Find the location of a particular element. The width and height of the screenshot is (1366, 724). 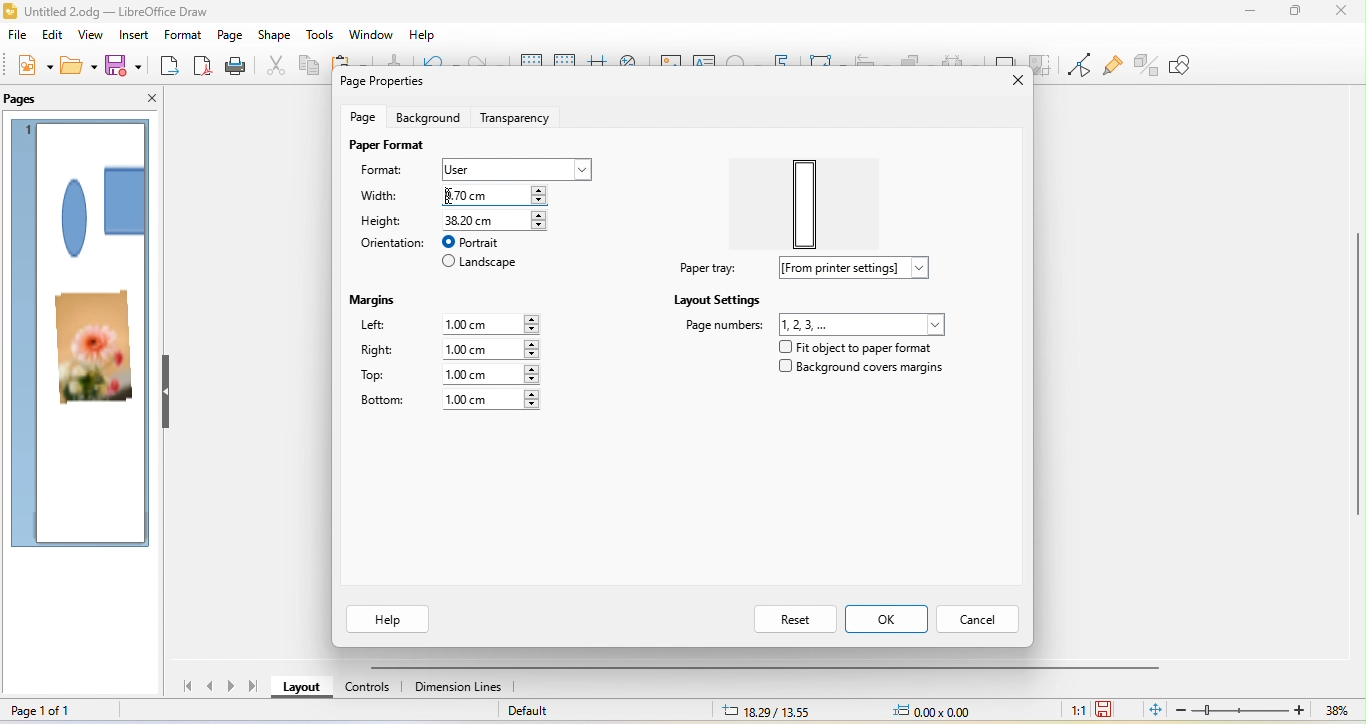

minimize is located at coordinates (1245, 15).